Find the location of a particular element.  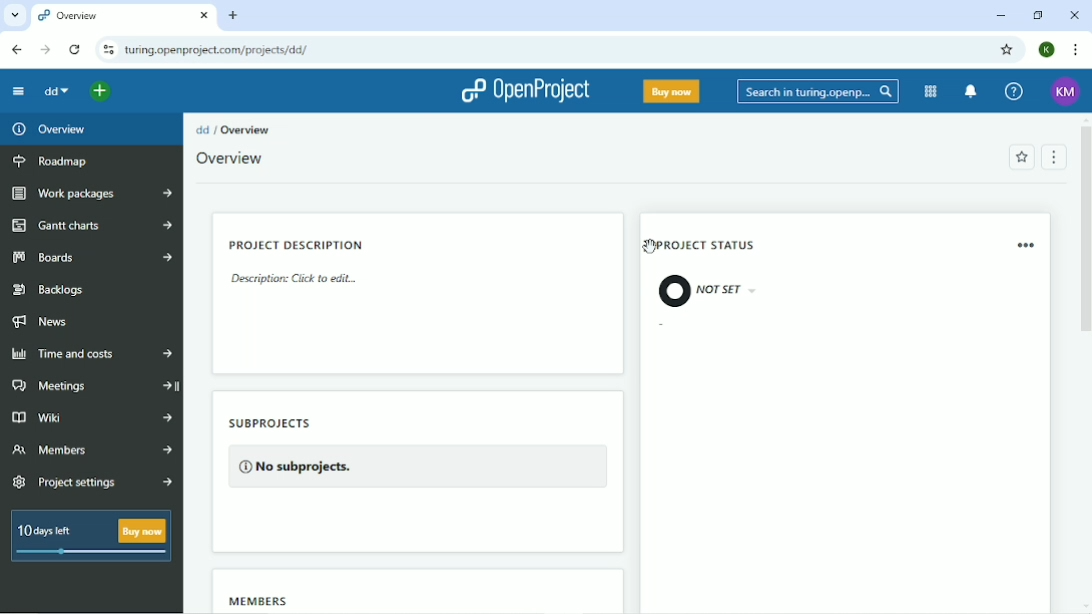

Vertical scrollbar is located at coordinates (1085, 232).